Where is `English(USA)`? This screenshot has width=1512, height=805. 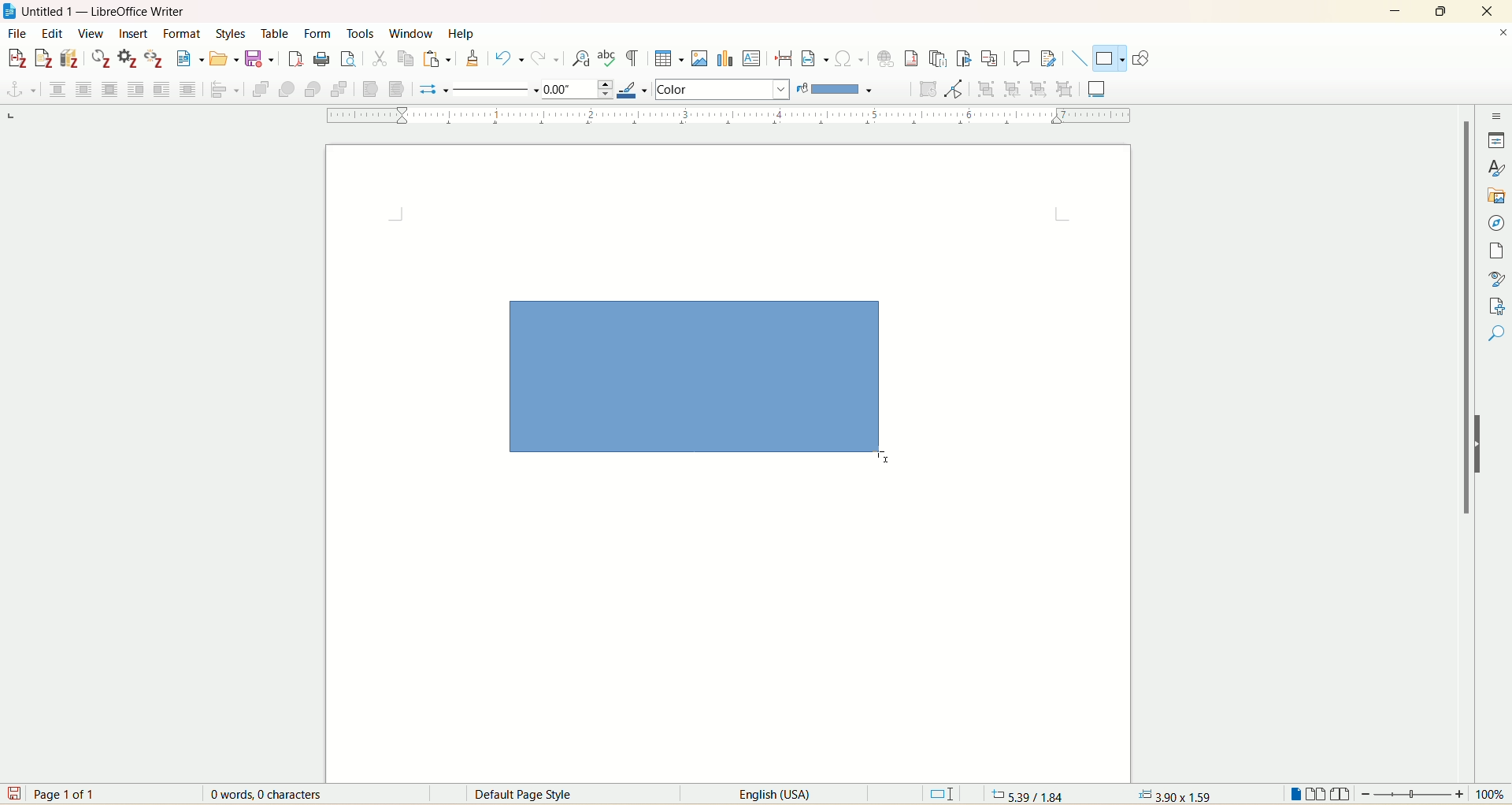
English(USA) is located at coordinates (763, 794).